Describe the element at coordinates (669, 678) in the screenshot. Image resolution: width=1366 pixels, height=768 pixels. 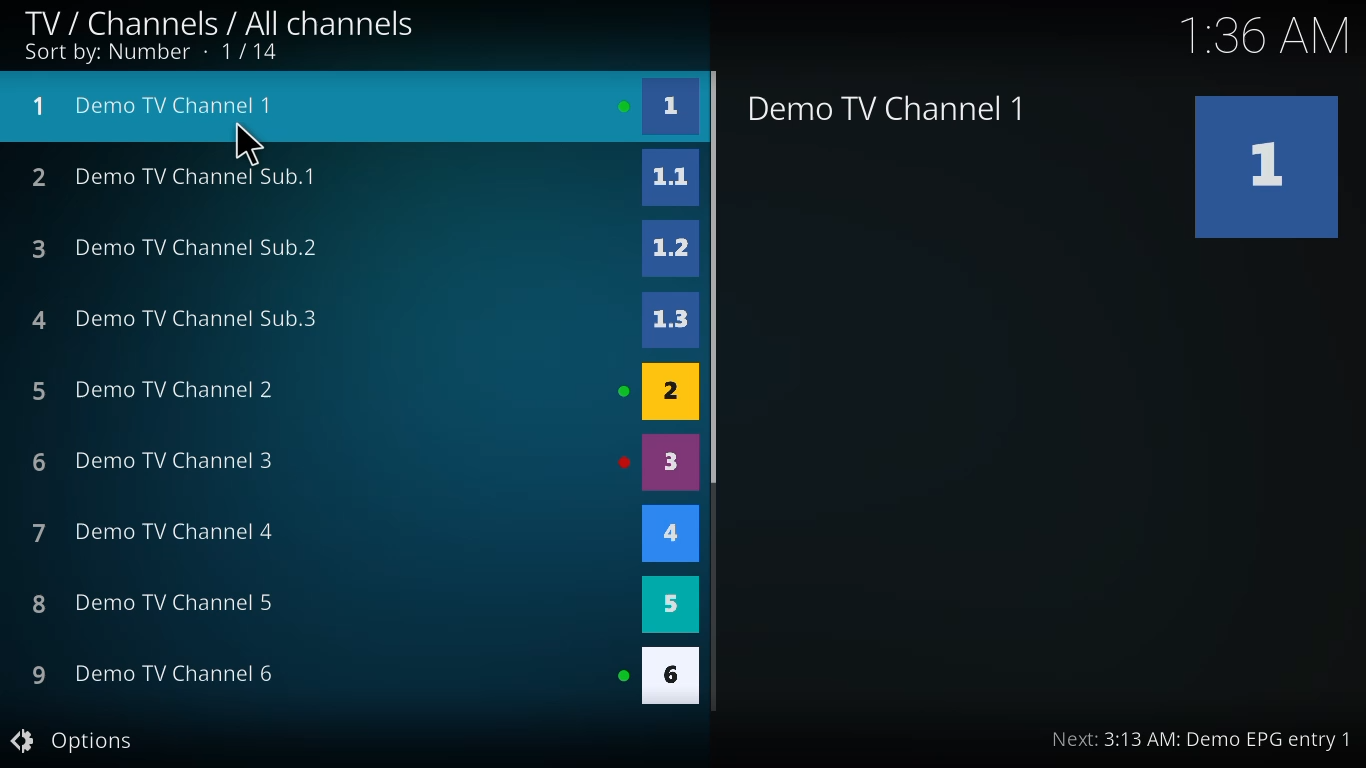
I see `6` at that location.